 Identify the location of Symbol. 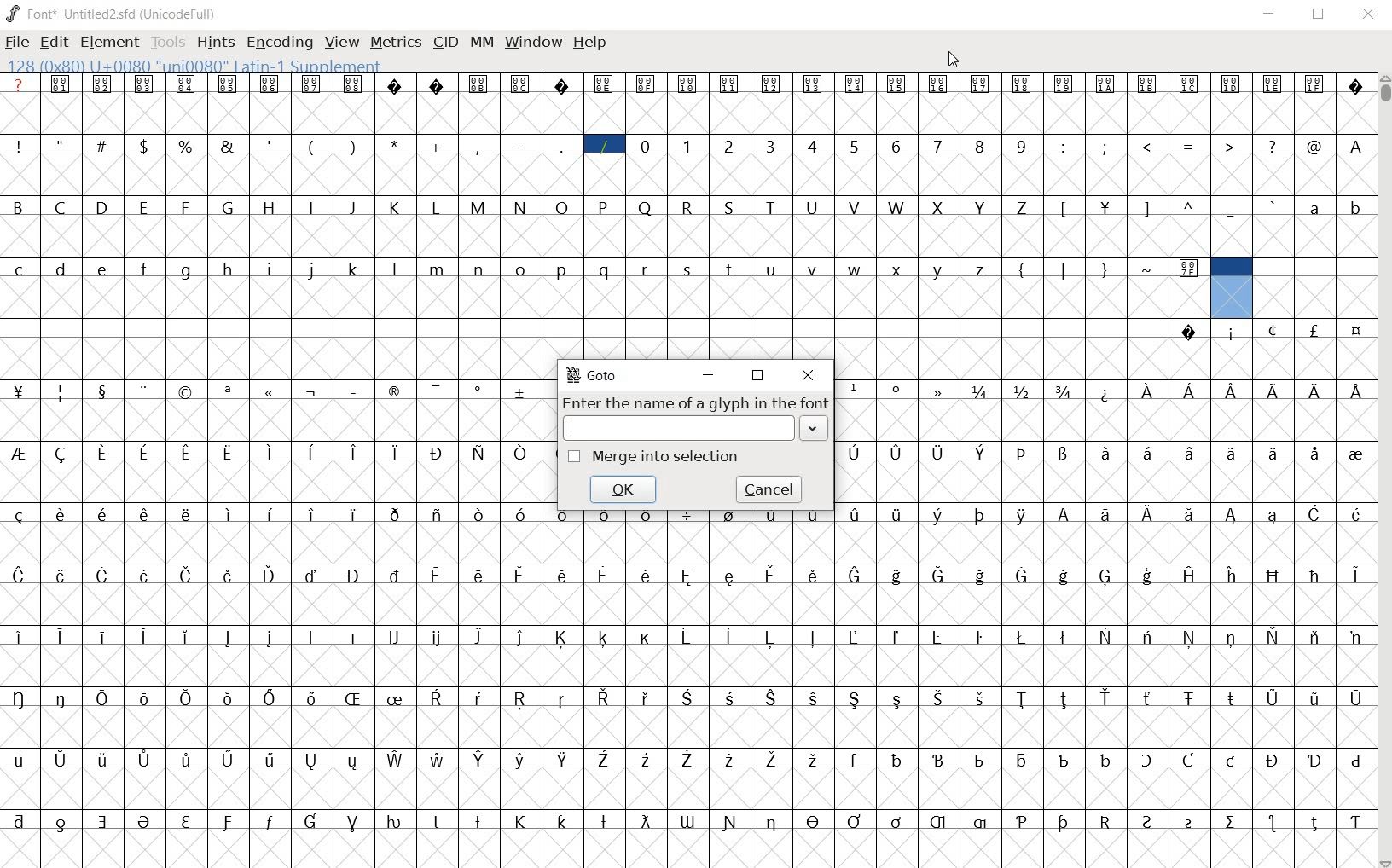
(1188, 269).